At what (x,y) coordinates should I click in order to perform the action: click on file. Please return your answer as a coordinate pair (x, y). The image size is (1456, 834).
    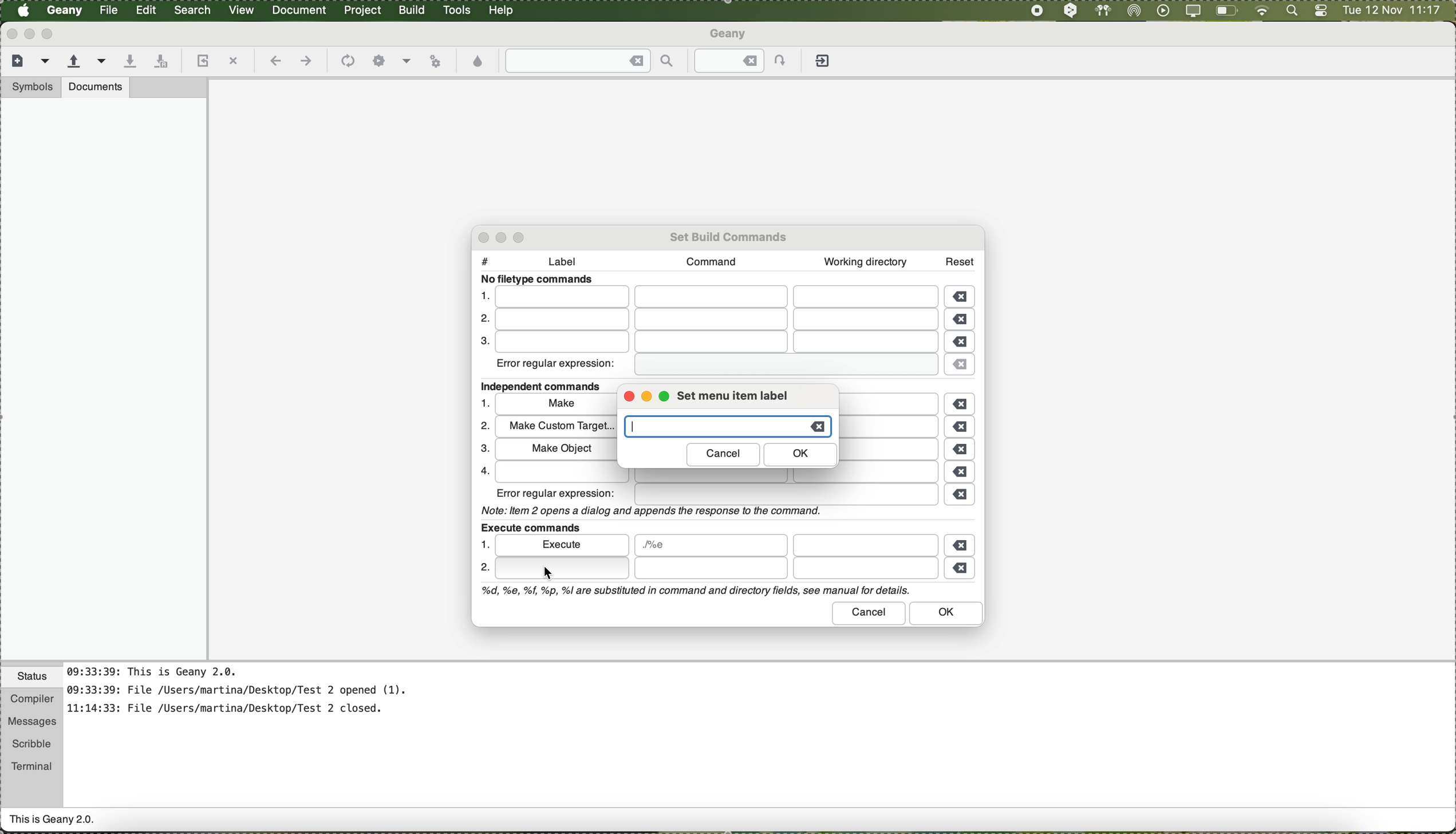
    Looking at the image, I should click on (894, 403).